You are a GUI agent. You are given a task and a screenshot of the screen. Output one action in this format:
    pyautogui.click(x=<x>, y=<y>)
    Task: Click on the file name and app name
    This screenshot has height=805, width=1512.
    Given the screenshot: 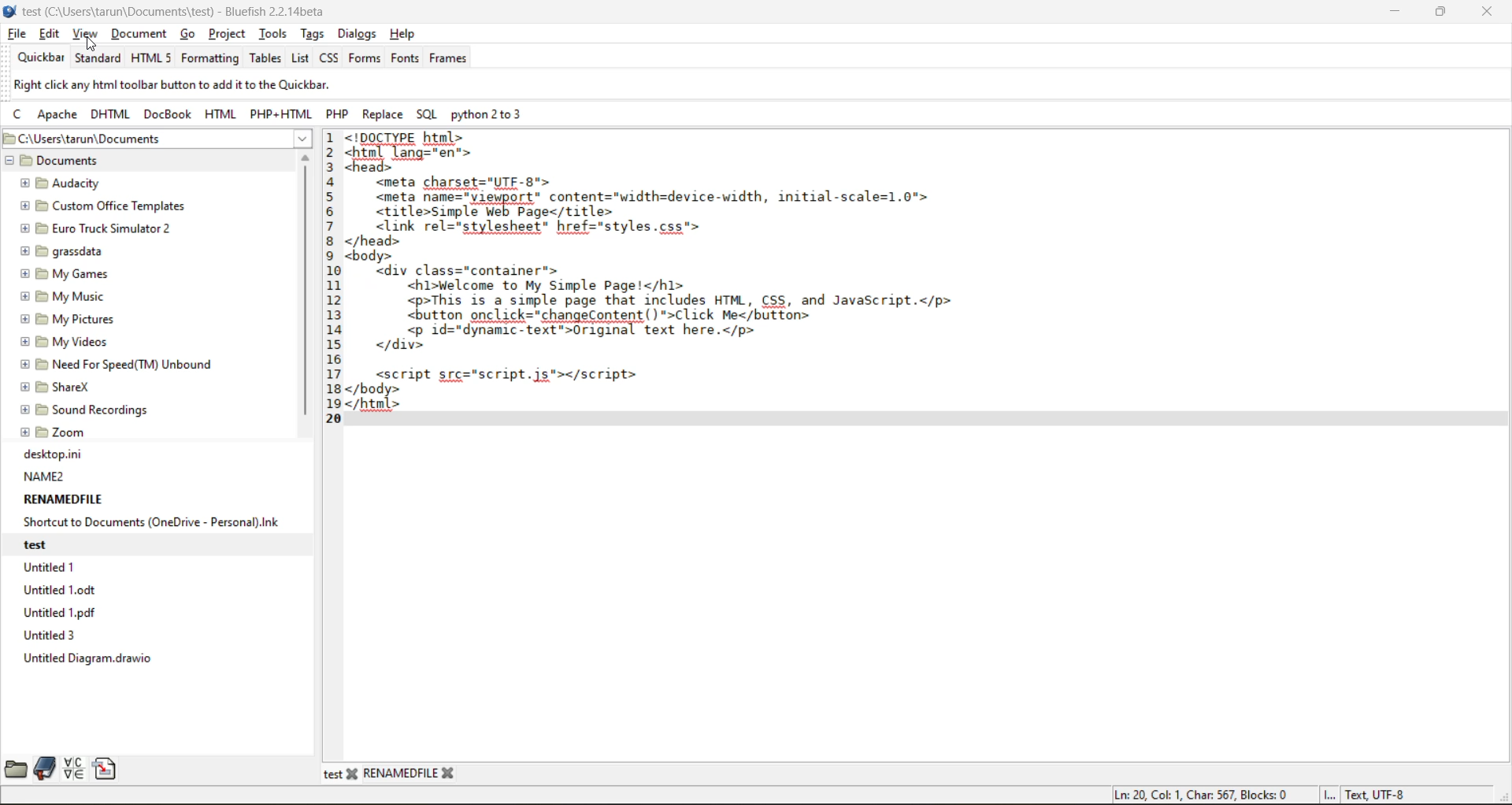 What is the action you would take?
    pyautogui.click(x=184, y=12)
    